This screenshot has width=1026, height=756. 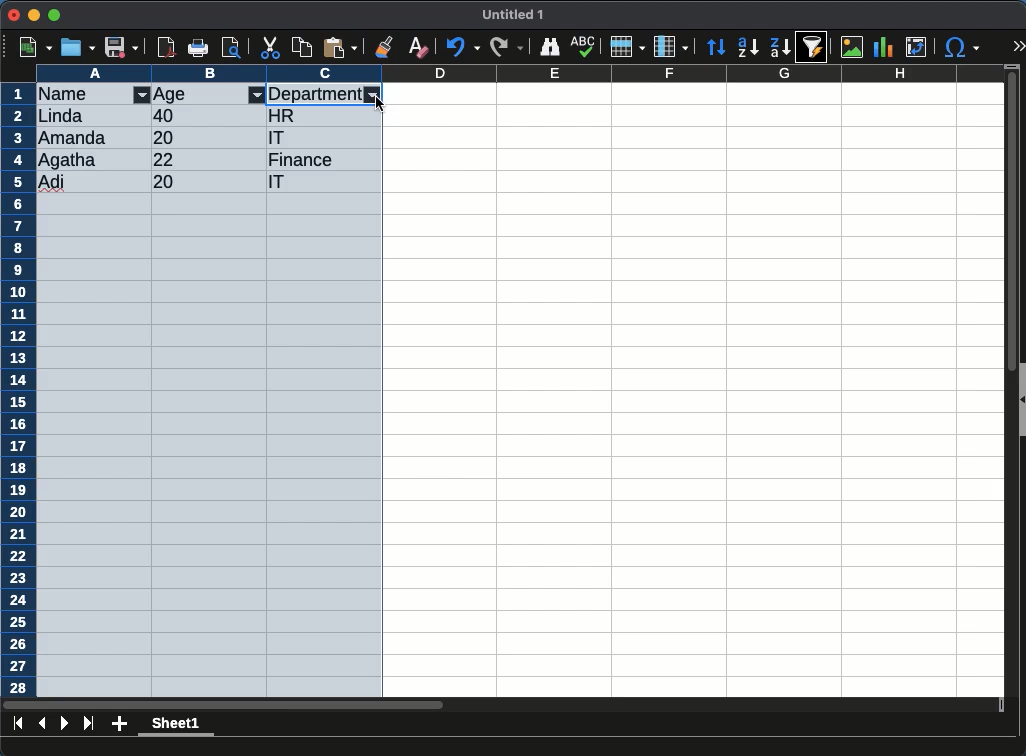 What do you see at coordinates (44, 722) in the screenshot?
I see `previous sheet` at bounding box center [44, 722].